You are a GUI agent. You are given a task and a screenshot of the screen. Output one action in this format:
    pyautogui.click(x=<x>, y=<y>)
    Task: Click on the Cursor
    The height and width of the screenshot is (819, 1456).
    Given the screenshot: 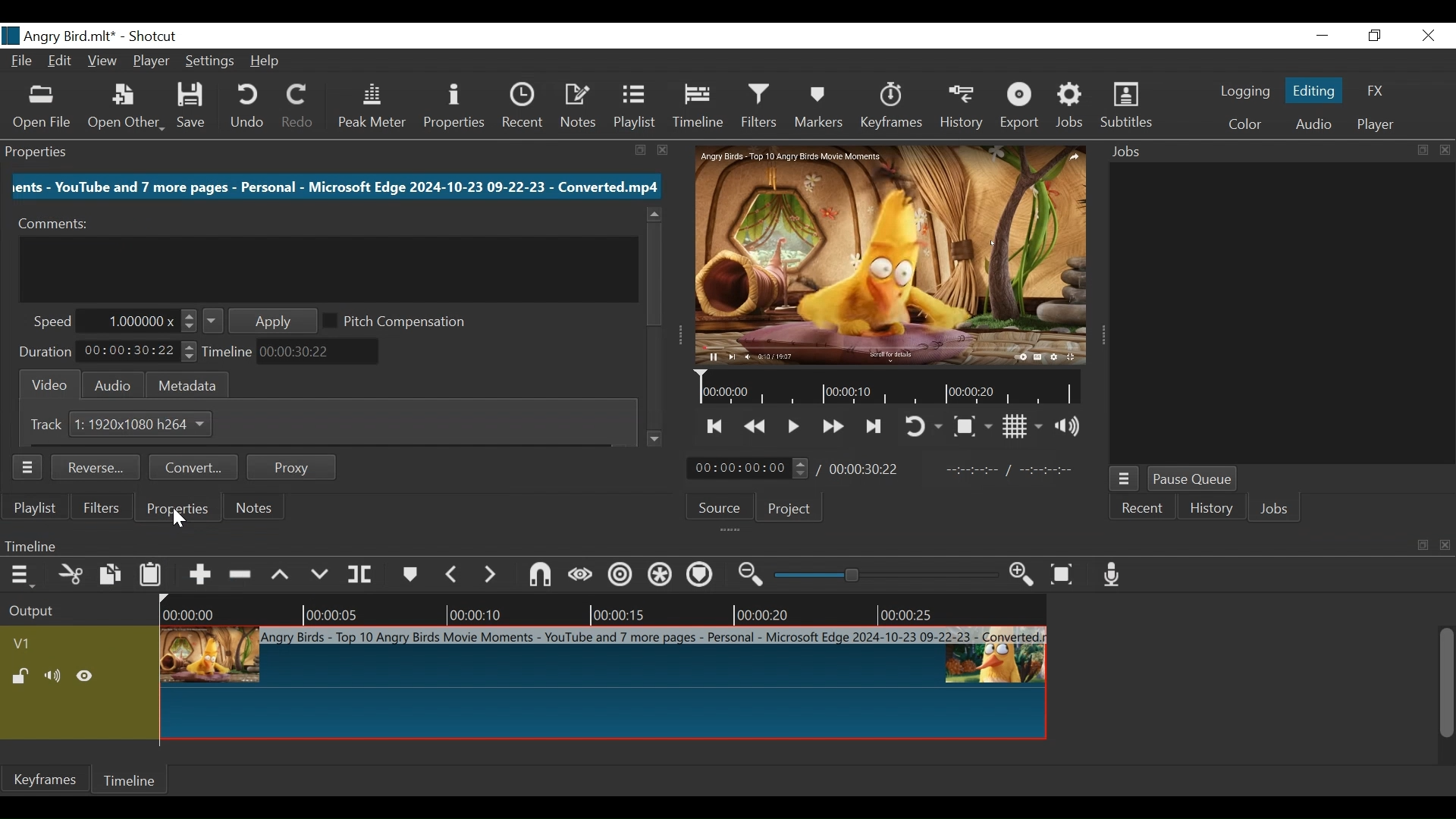 What is the action you would take?
    pyautogui.click(x=183, y=525)
    